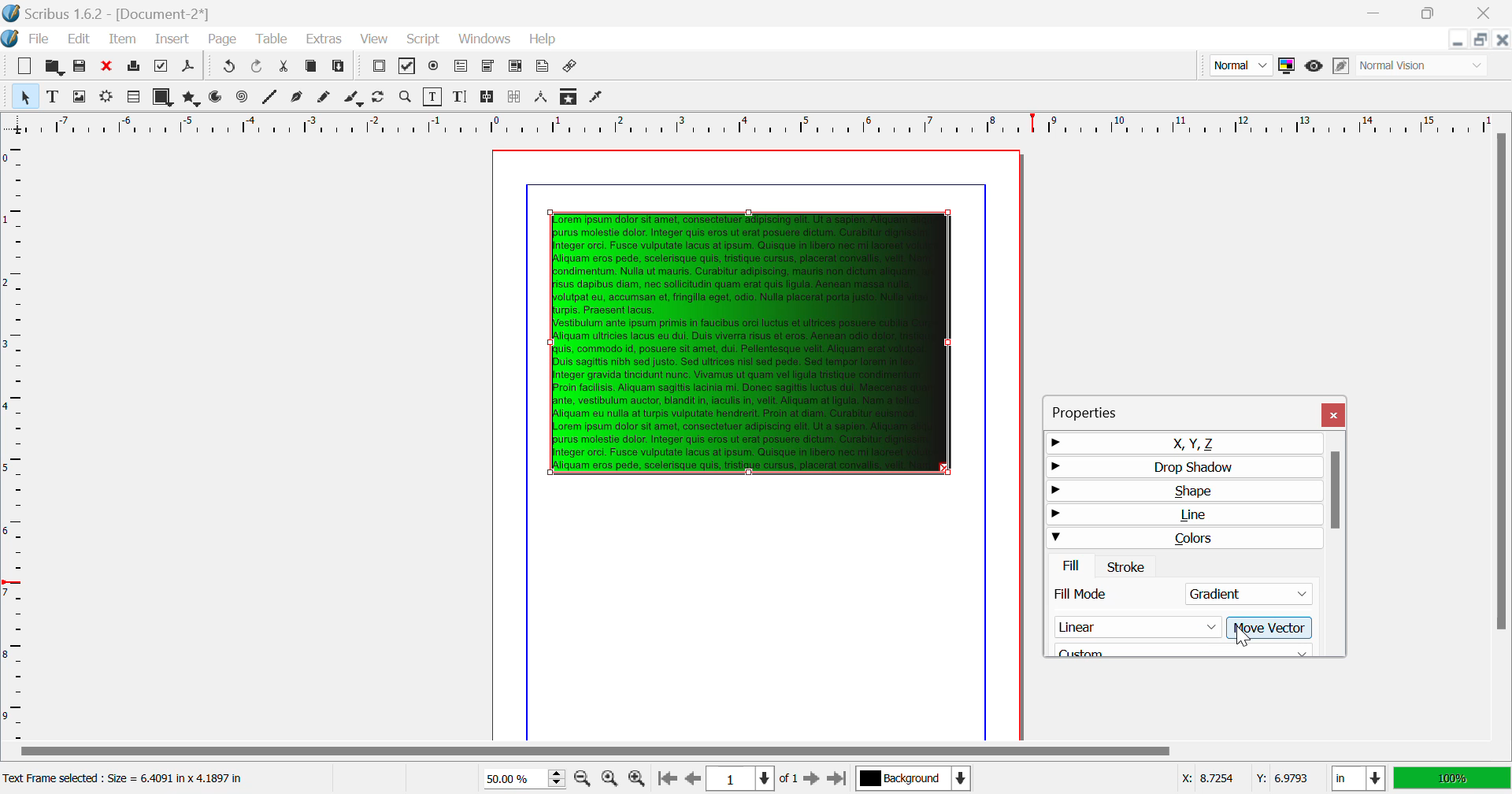 The height and width of the screenshot is (794, 1512). What do you see at coordinates (25, 66) in the screenshot?
I see `New` at bounding box center [25, 66].